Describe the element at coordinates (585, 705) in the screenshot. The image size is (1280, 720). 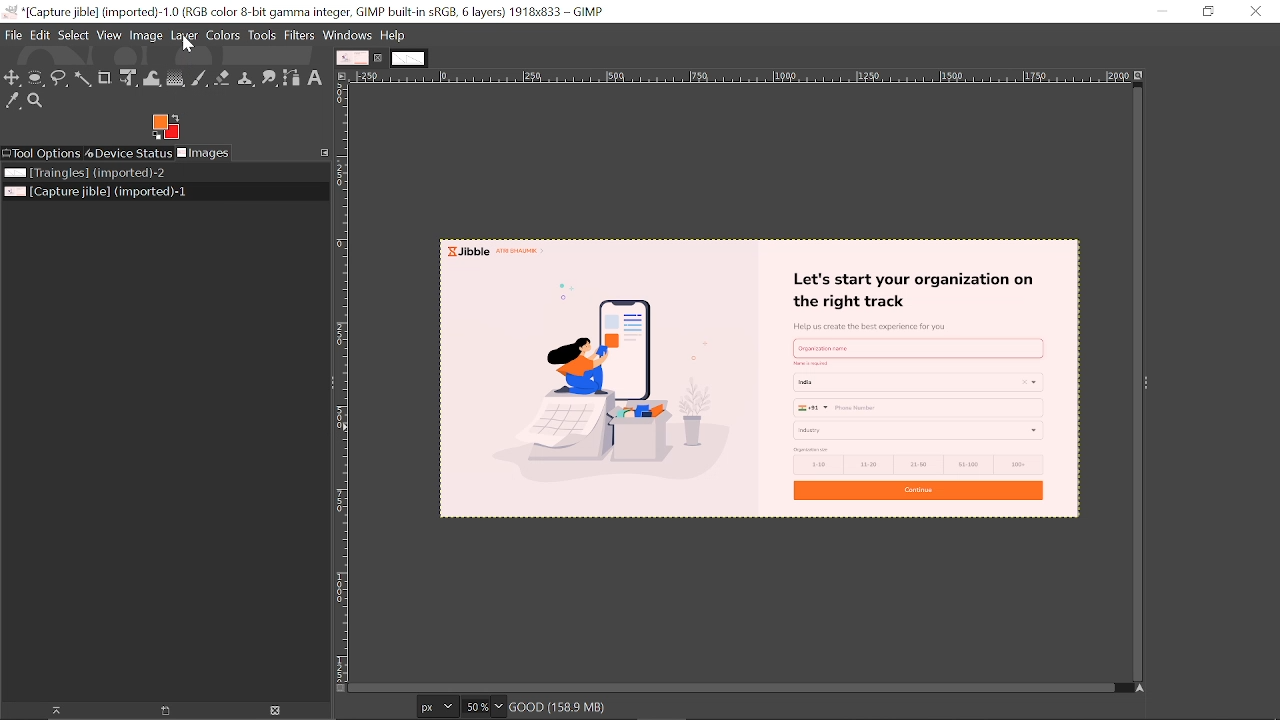
I see `good (158.9MB)` at that location.